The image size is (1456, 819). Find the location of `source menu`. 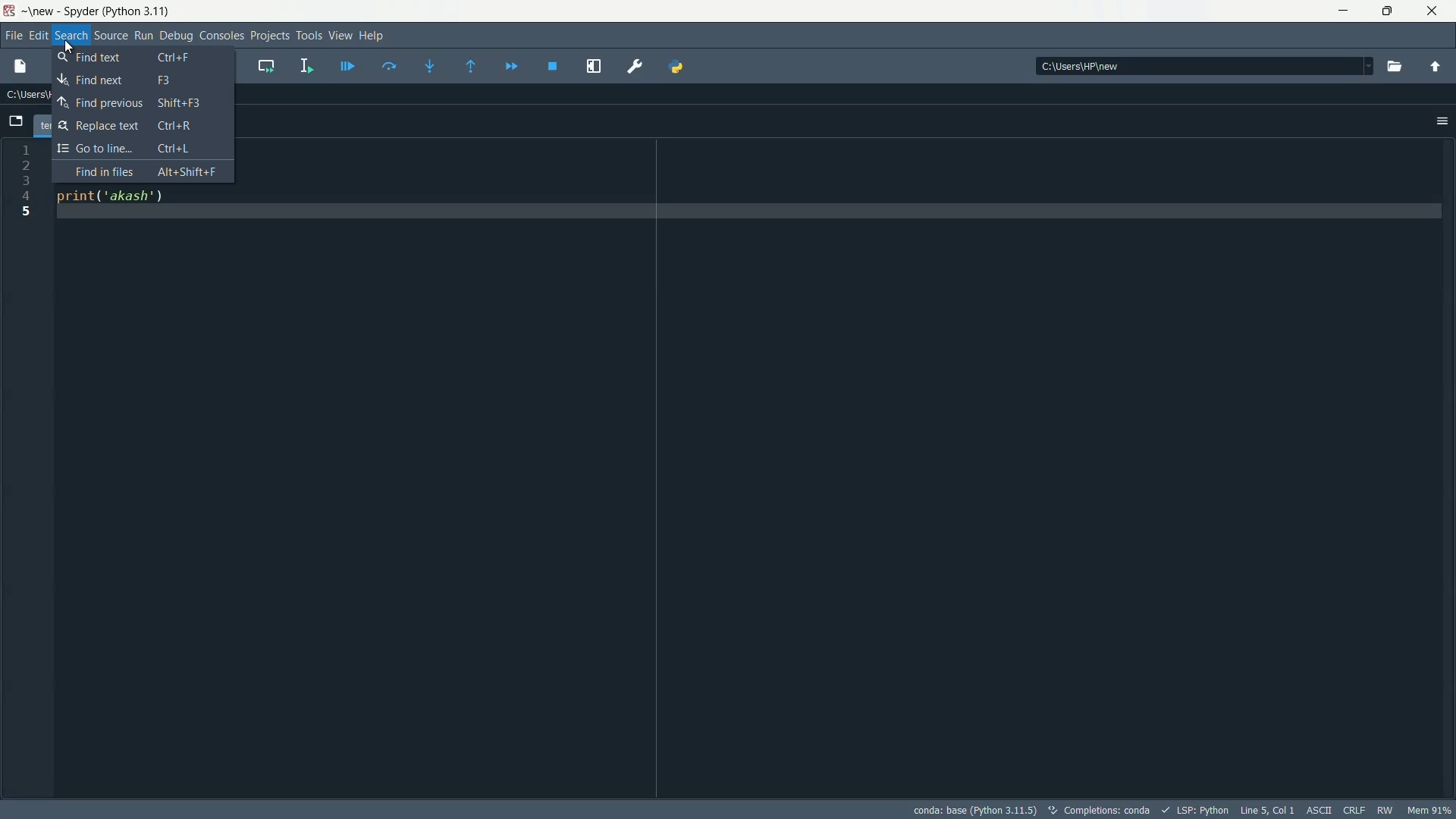

source menu is located at coordinates (110, 37).